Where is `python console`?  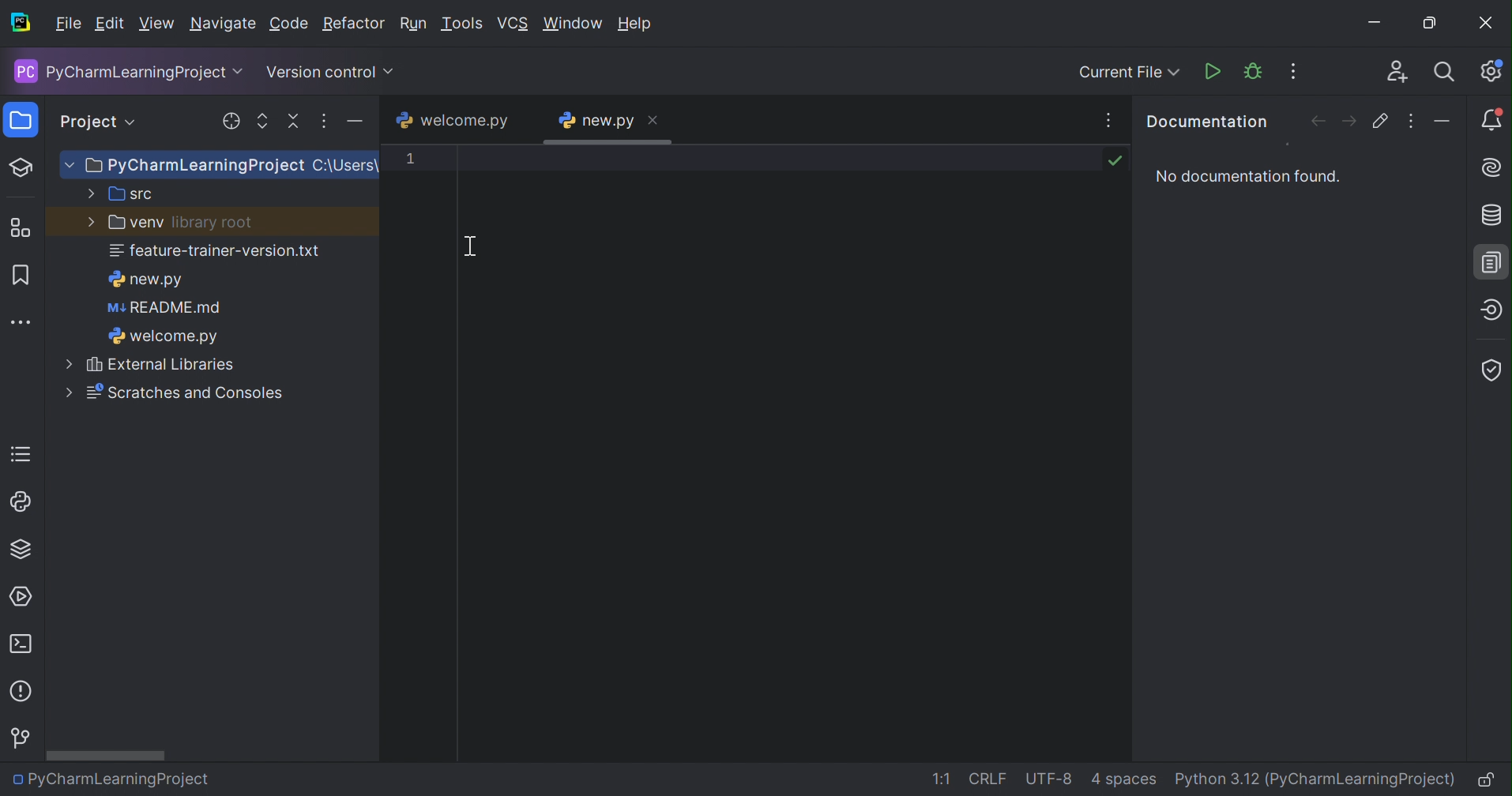 python console is located at coordinates (21, 502).